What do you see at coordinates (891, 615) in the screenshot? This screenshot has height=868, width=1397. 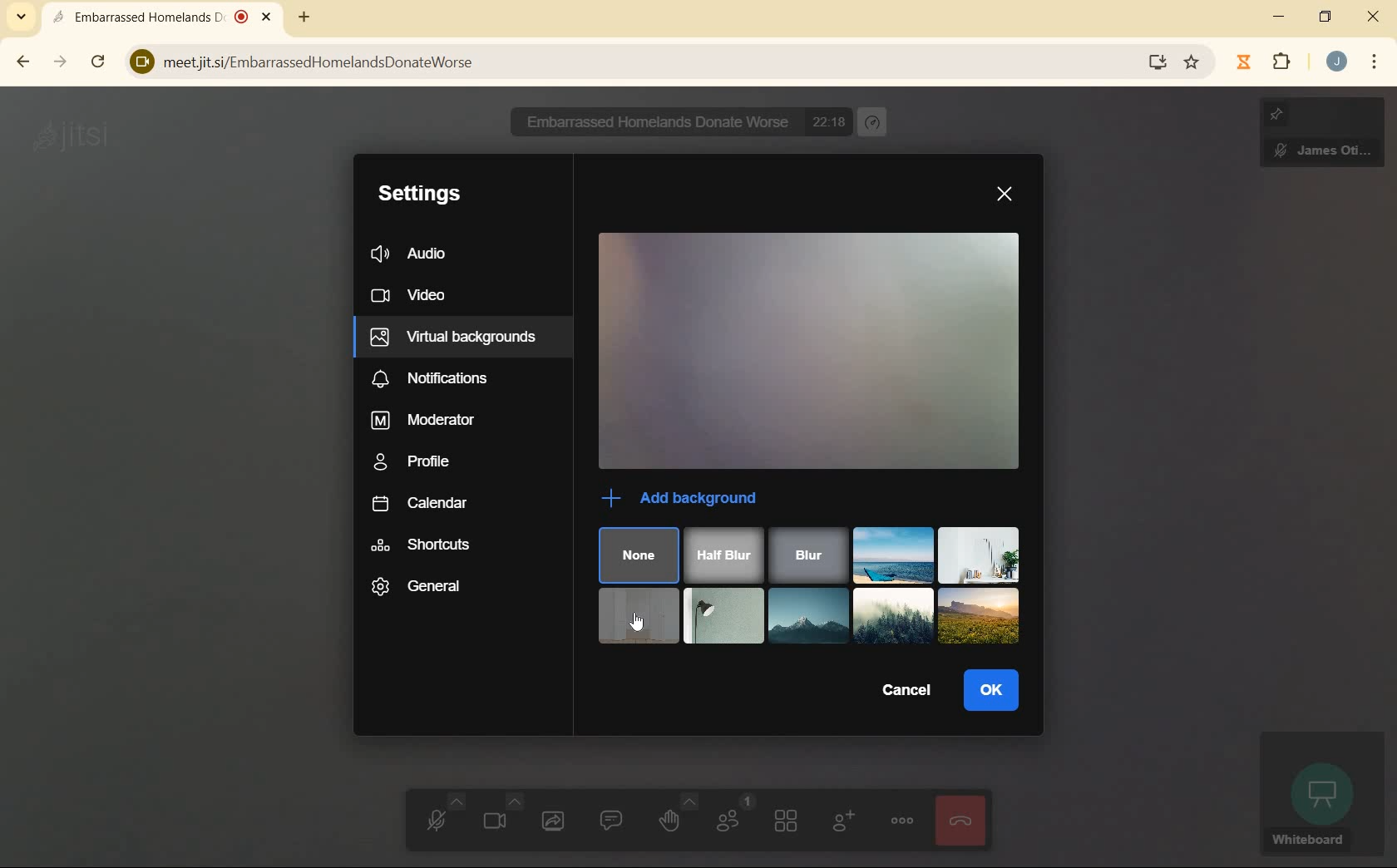 I see `` at bounding box center [891, 615].